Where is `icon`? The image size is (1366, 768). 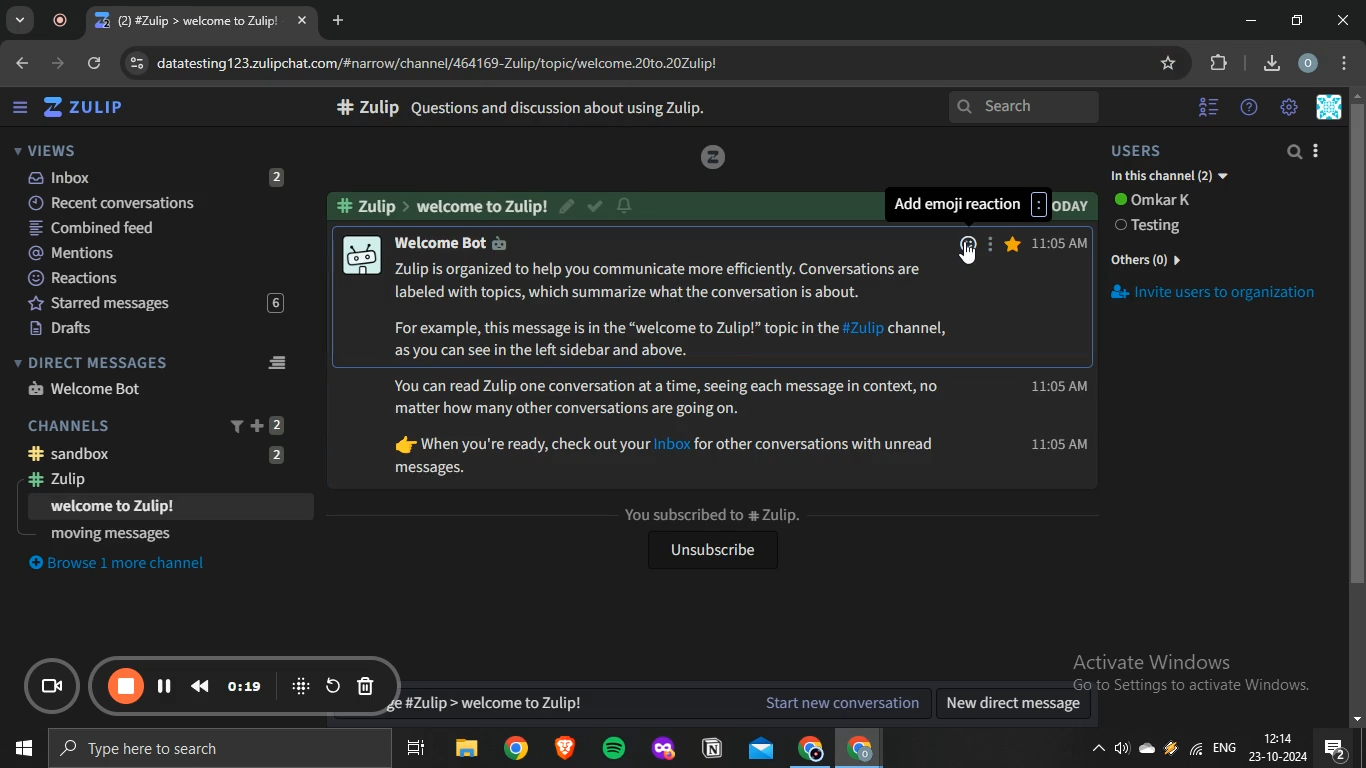
icon is located at coordinates (712, 157).